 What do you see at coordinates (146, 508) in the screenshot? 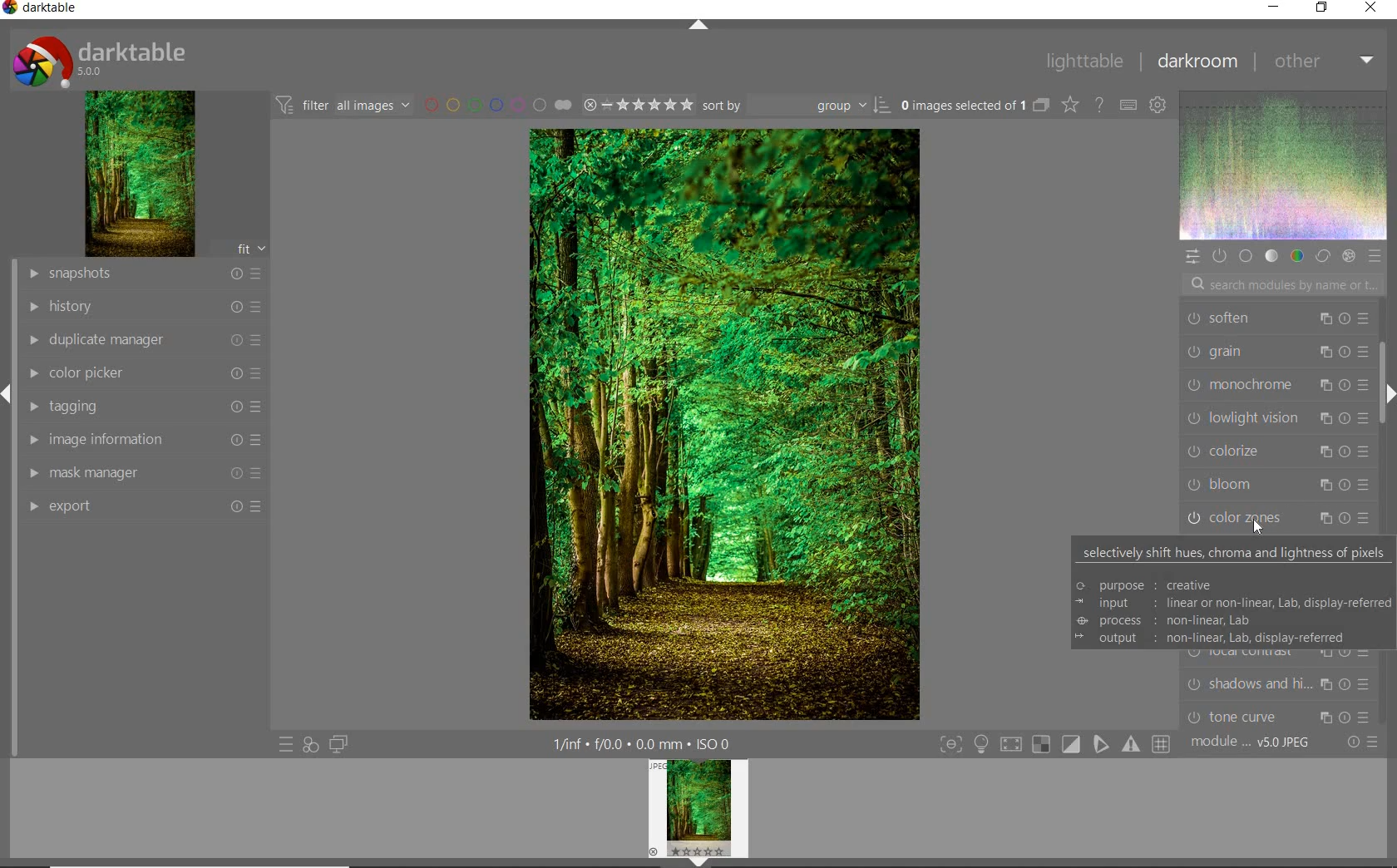
I see `EFFORT` at bounding box center [146, 508].